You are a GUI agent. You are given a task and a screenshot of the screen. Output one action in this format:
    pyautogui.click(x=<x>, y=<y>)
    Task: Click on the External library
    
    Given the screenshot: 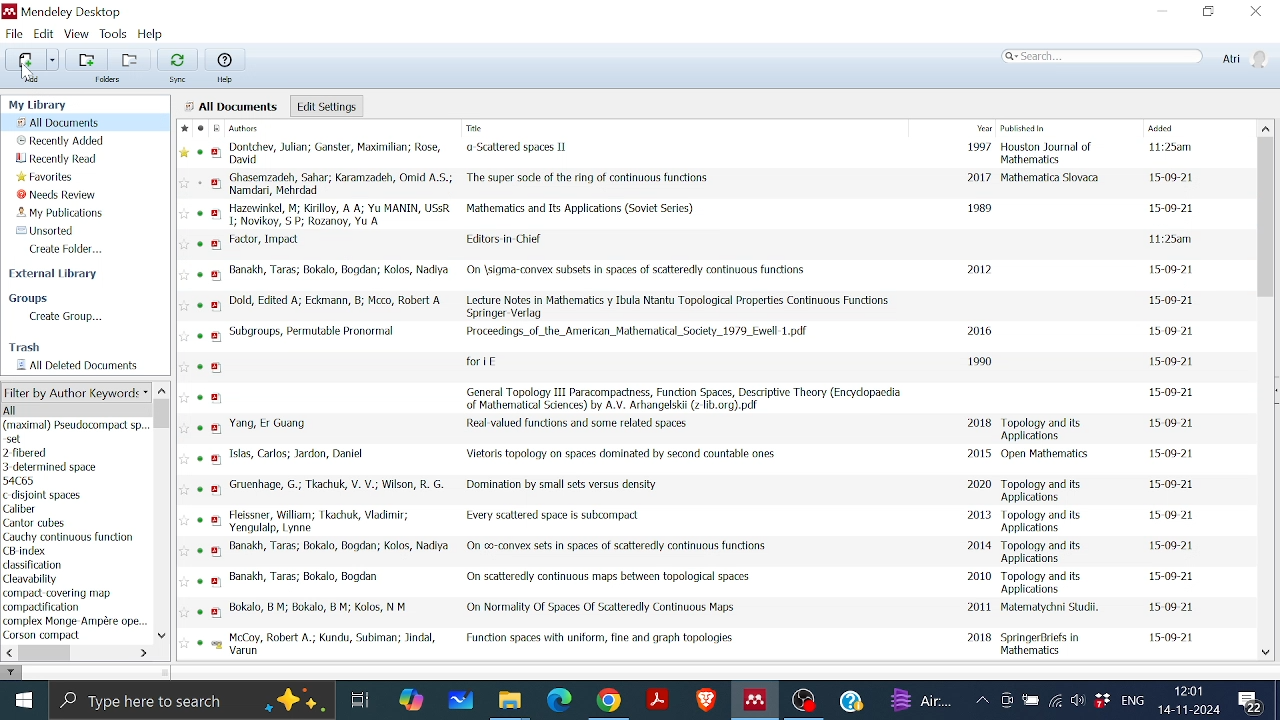 What is the action you would take?
    pyautogui.click(x=59, y=272)
    